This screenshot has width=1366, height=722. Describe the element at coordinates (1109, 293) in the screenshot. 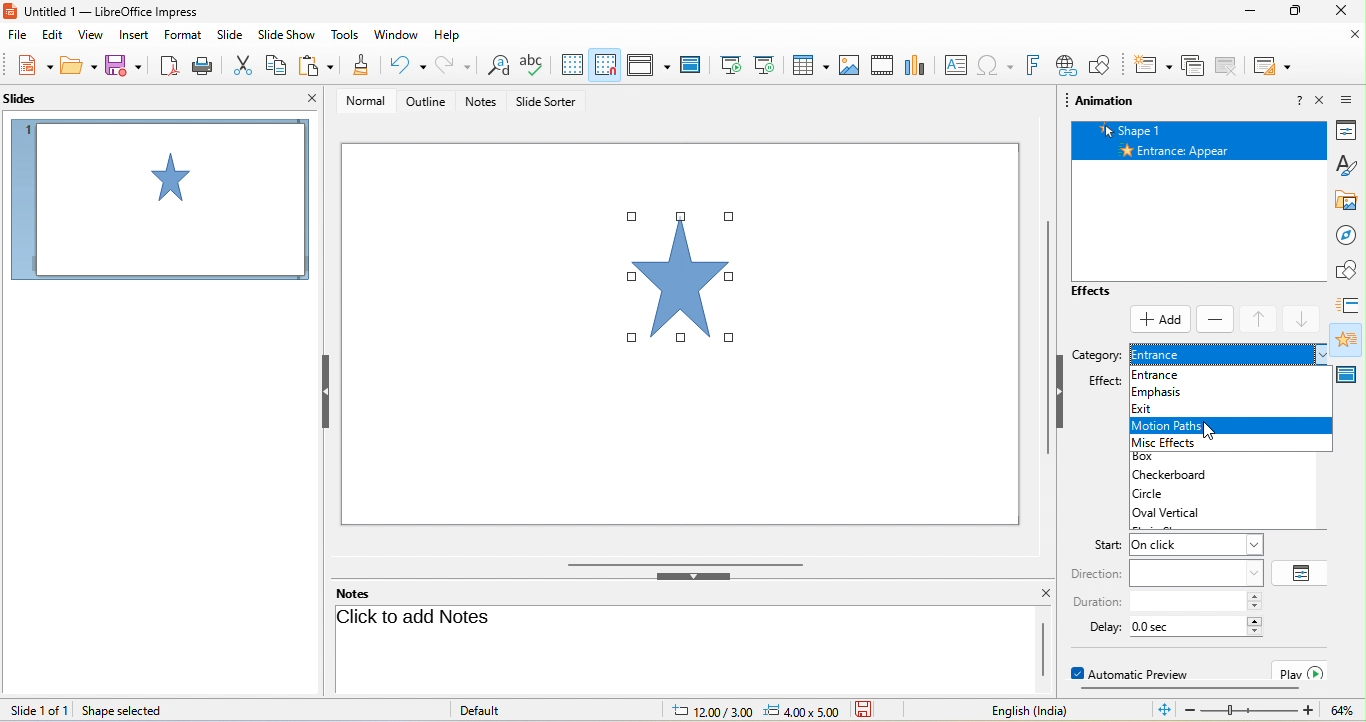

I see `effects` at that location.